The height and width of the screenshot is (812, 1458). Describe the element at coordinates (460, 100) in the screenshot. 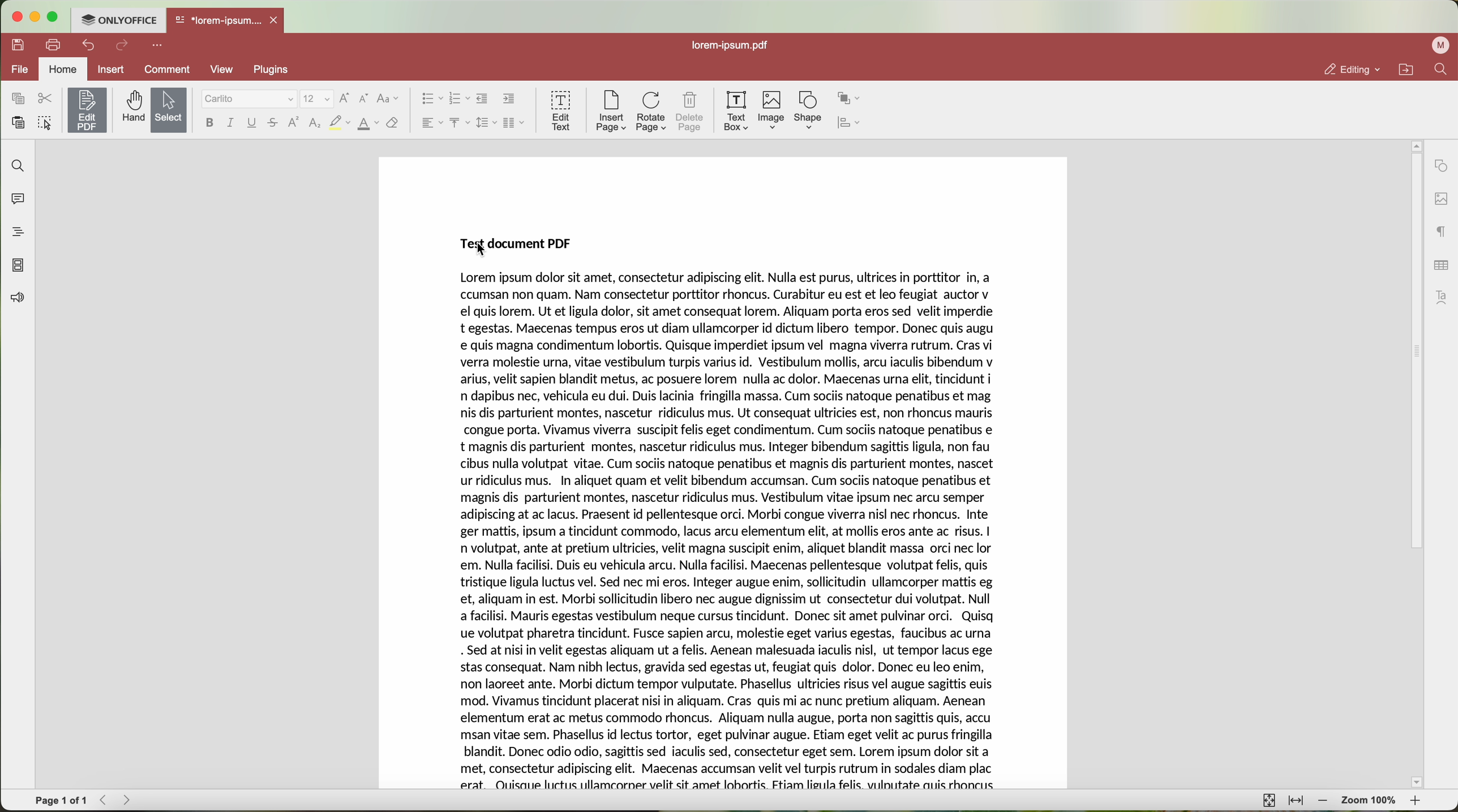

I see `numbered list` at that location.